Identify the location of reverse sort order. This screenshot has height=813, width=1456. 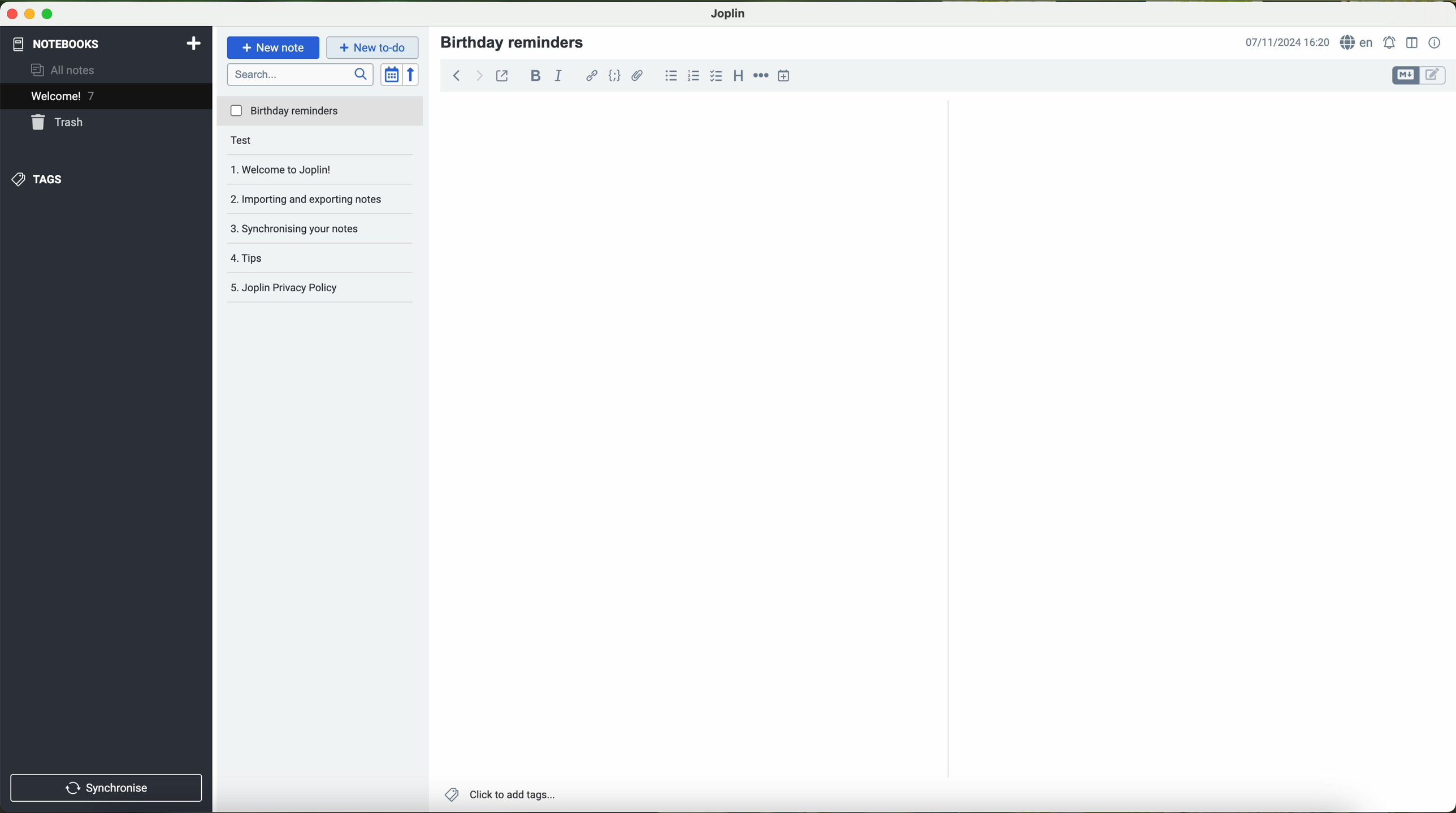
(412, 73).